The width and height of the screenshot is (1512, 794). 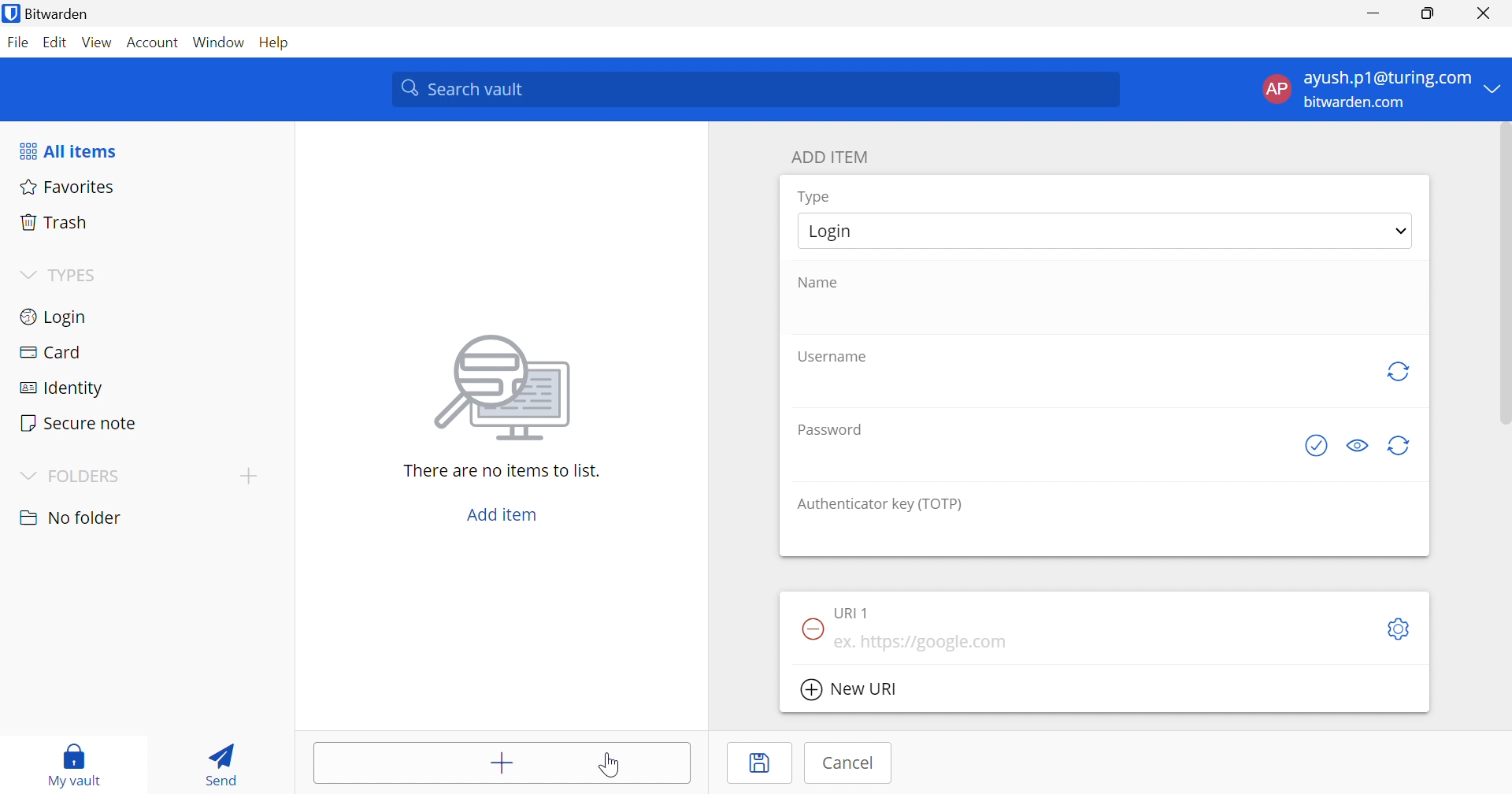 What do you see at coordinates (858, 612) in the screenshot?
I see `URI 1` at bounding box center [858, 612].